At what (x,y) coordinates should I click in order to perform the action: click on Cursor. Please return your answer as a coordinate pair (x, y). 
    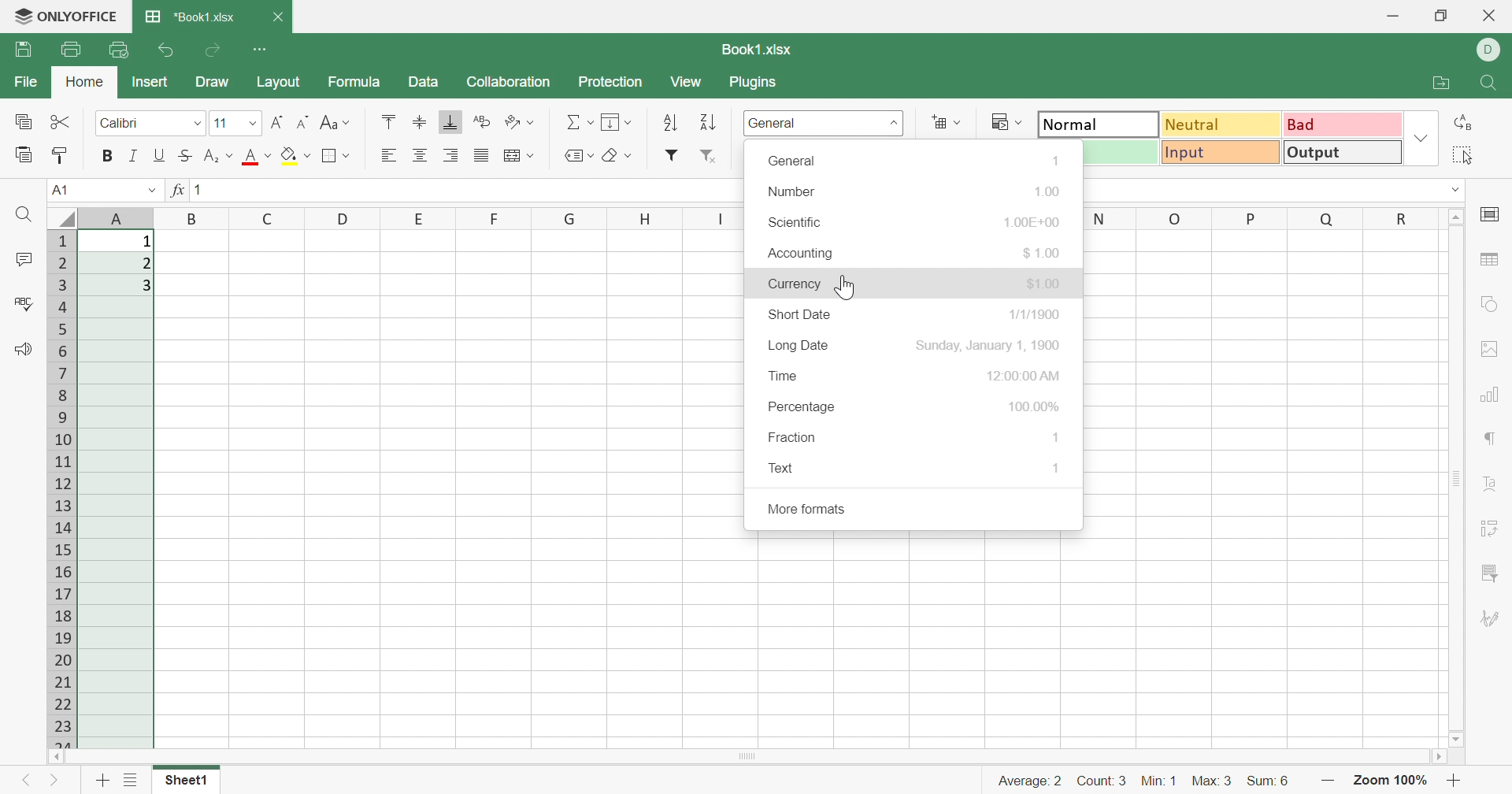
    Looking at the image, I should click on (849, 287).